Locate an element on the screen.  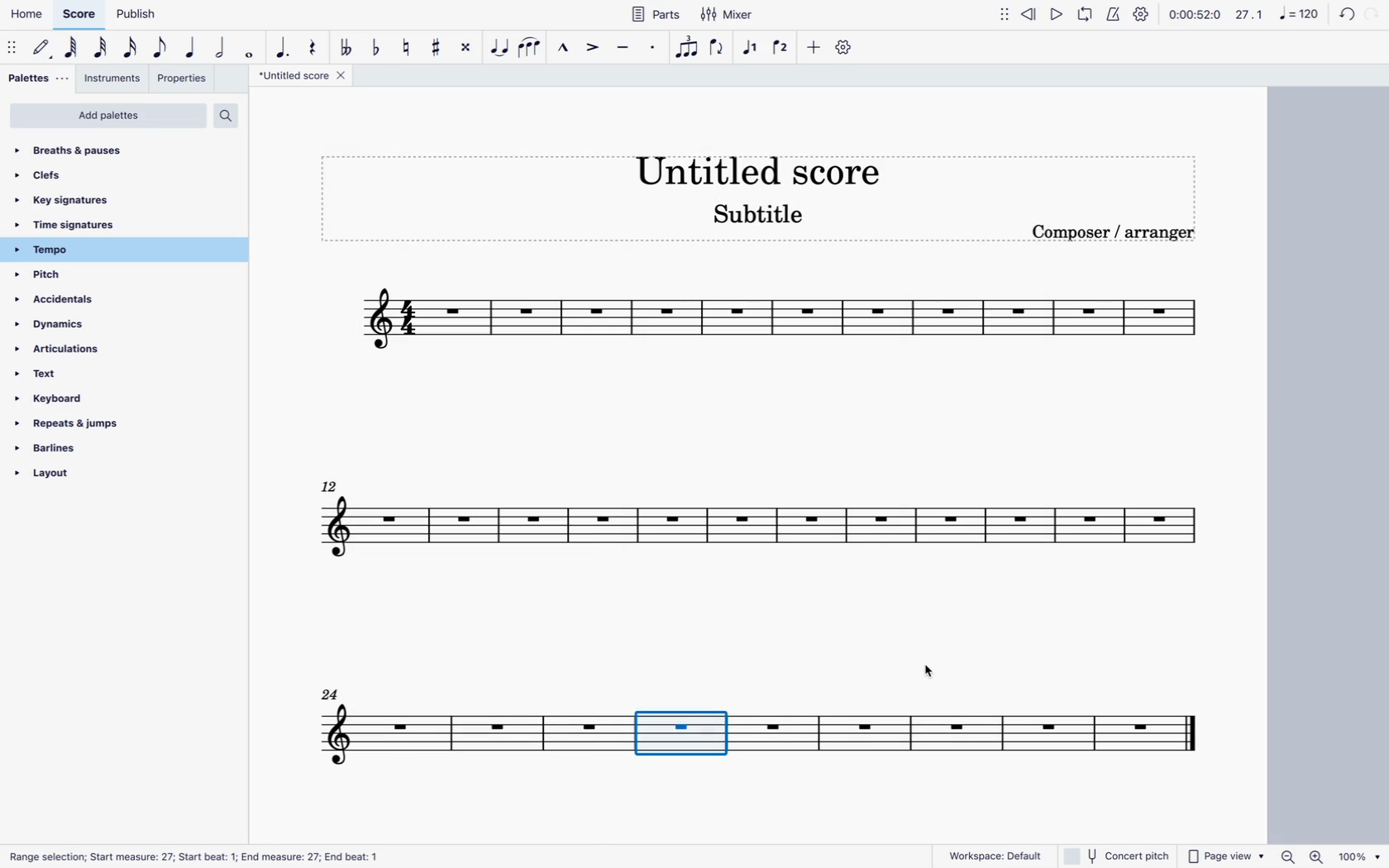
flip direction is located at coordinates (719, 48).